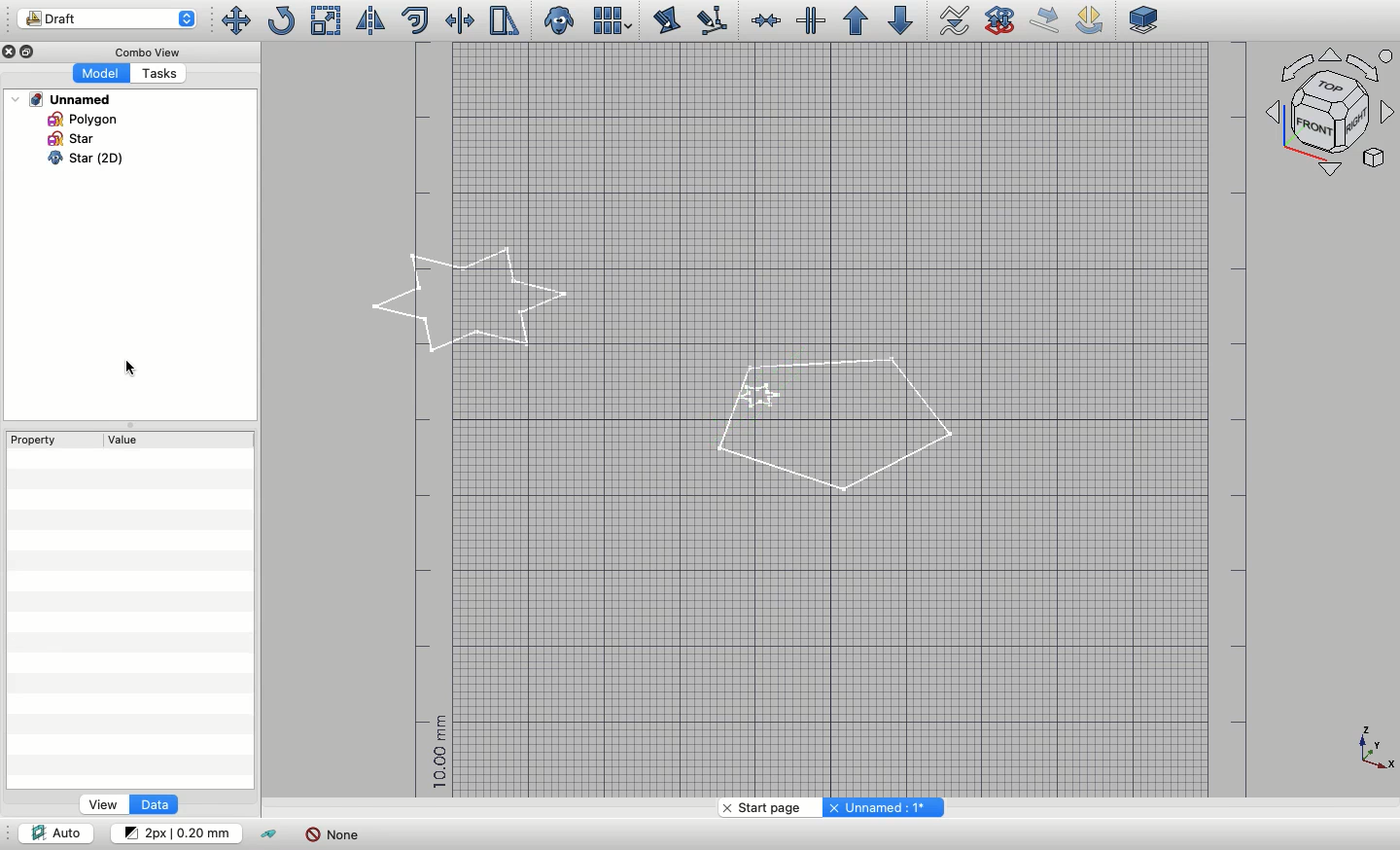 This screenshot has height=850, width=1400. Describe the element at coordinates (1328, 110) in the screenshot. I see `Navigation styles` at that location.